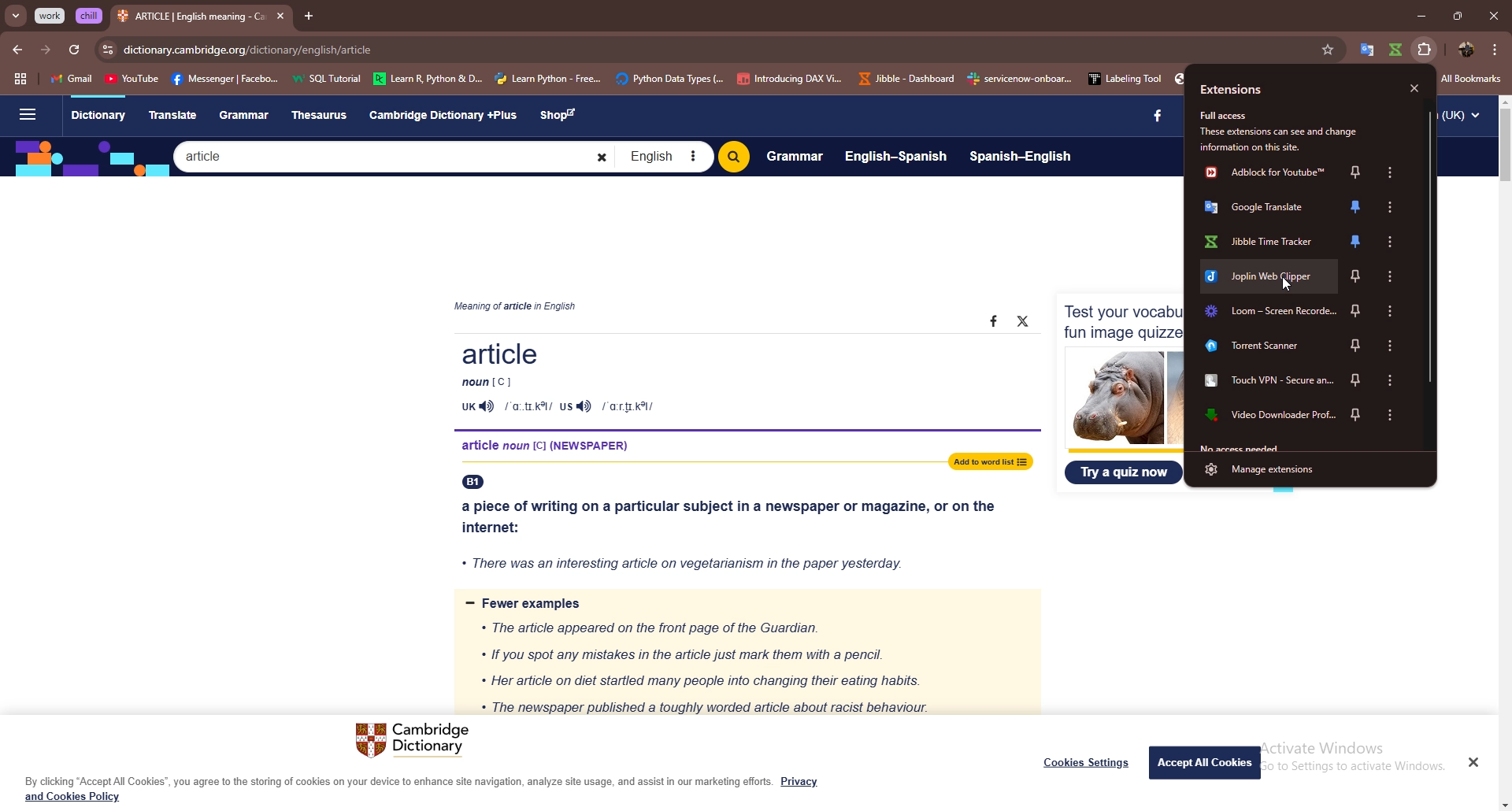 The width and height of the screenshot is (1512, 811). I want to click on Close, so click(1473, 761).